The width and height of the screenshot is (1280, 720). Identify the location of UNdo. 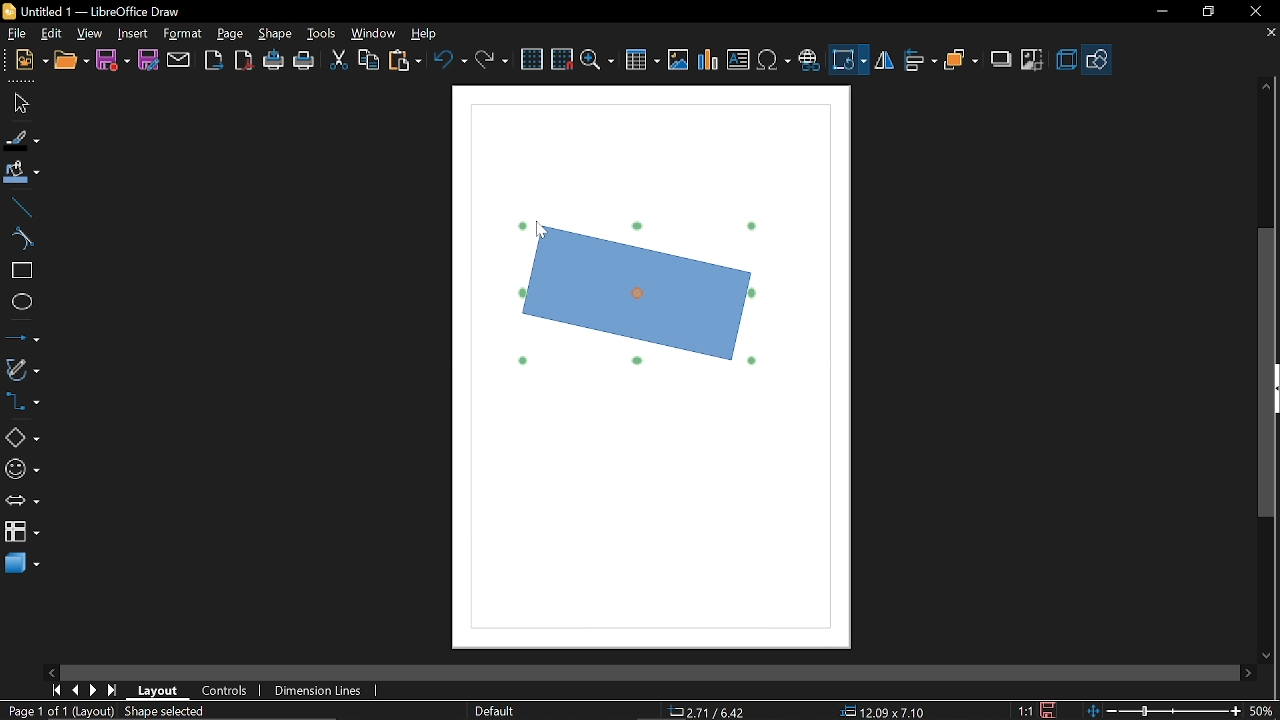
(452, 59).